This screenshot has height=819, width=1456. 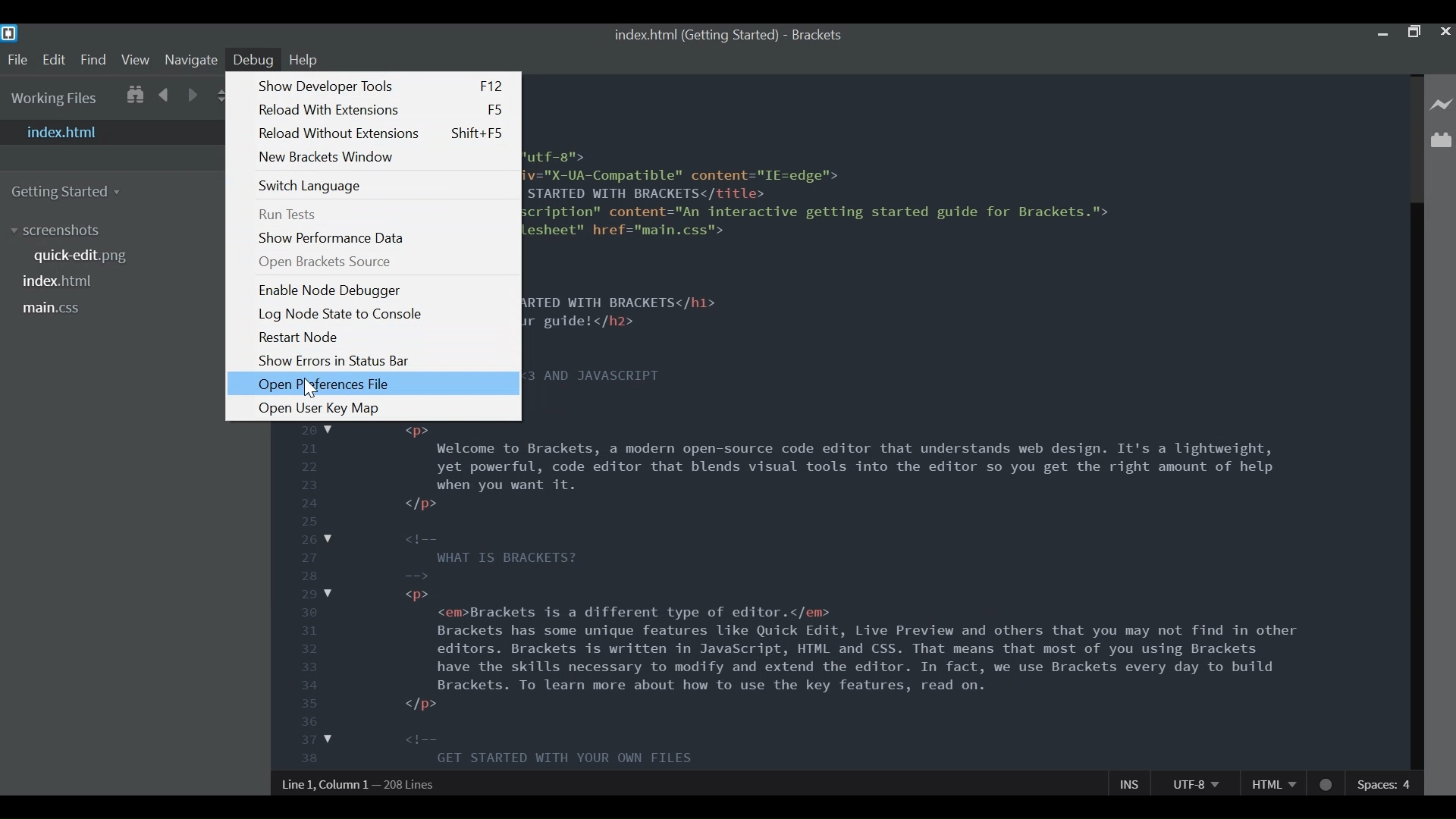 I want to click on Open Brackets Source, so click(x=325, y=262).